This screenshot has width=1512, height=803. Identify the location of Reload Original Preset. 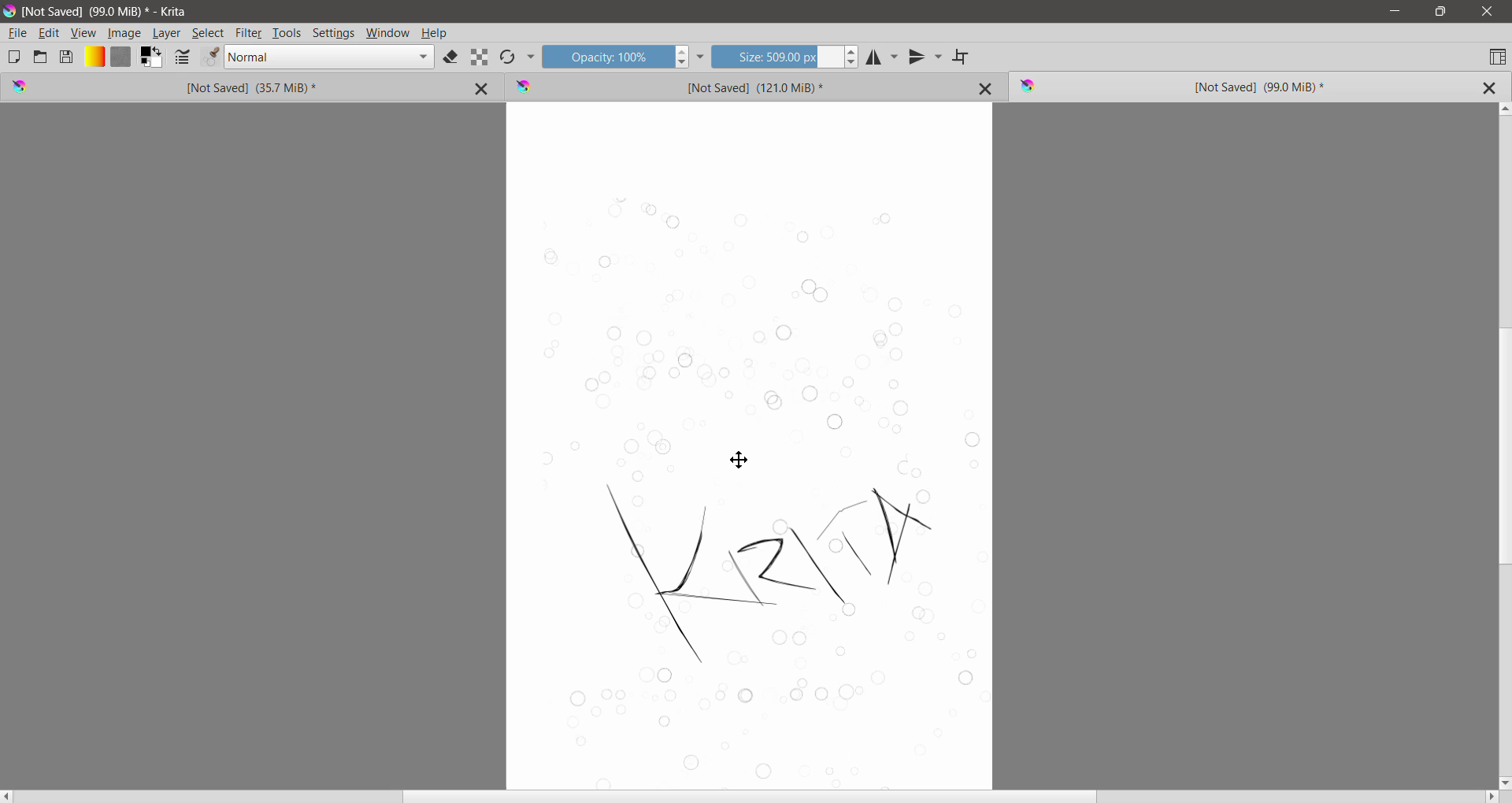
(507, 57).